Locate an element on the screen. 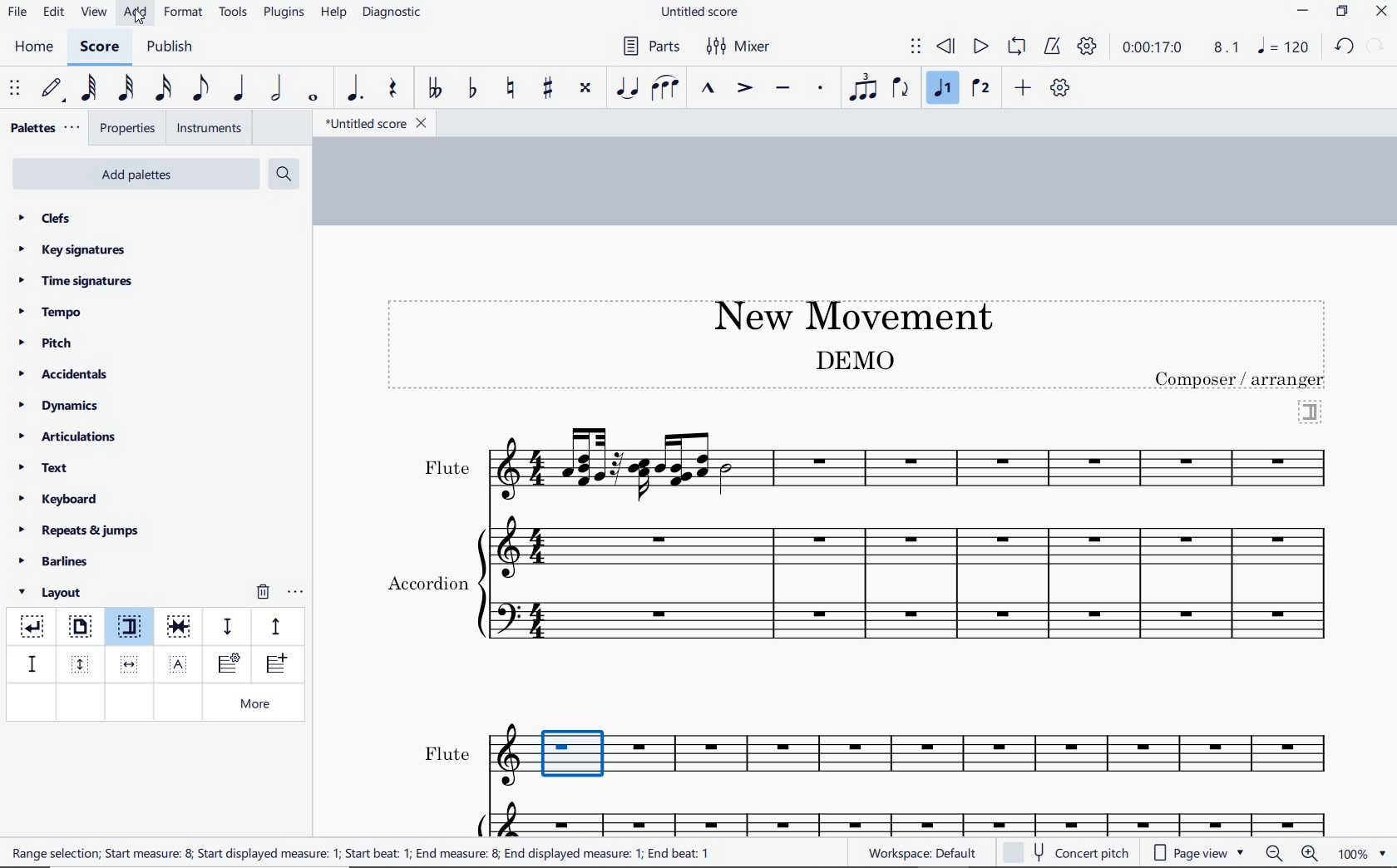  insert horizontal is located at coordinates (130, 664).